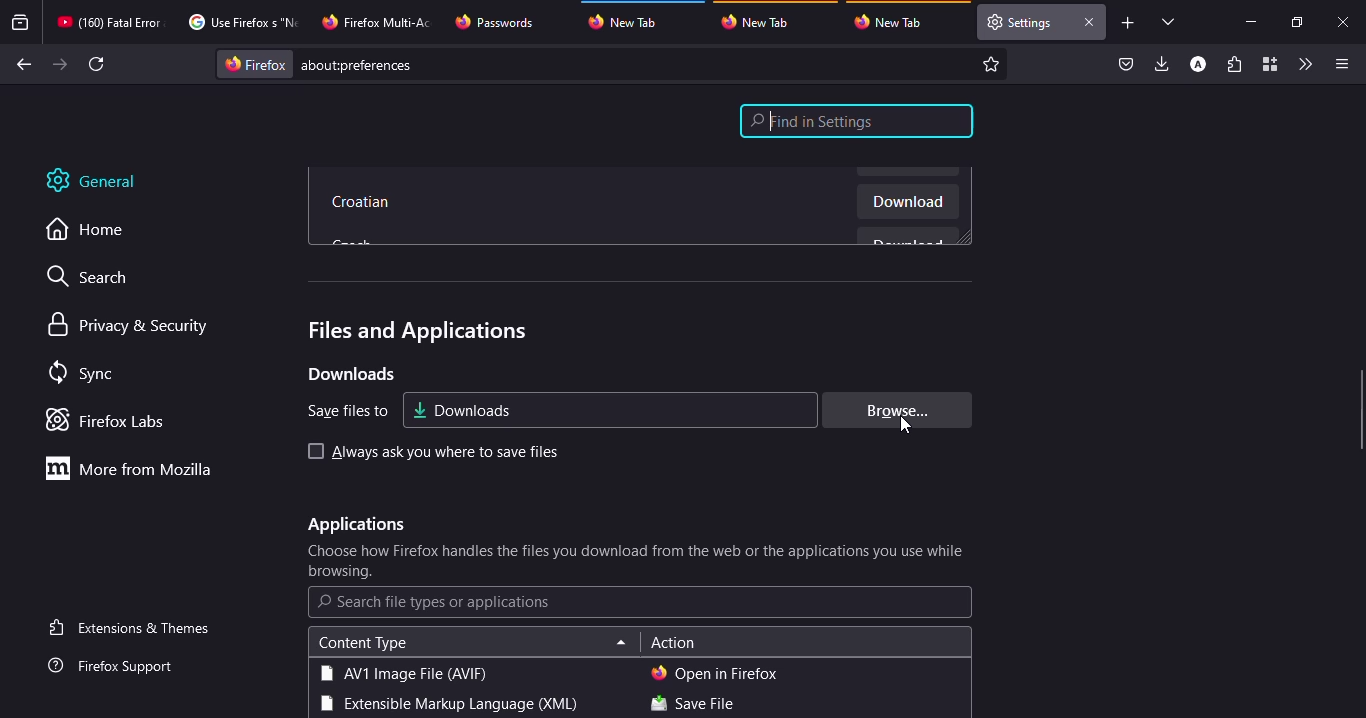 Image resolution: width=1366 pixels, height=718 pixels. I want to click on select, so click(313, 451).